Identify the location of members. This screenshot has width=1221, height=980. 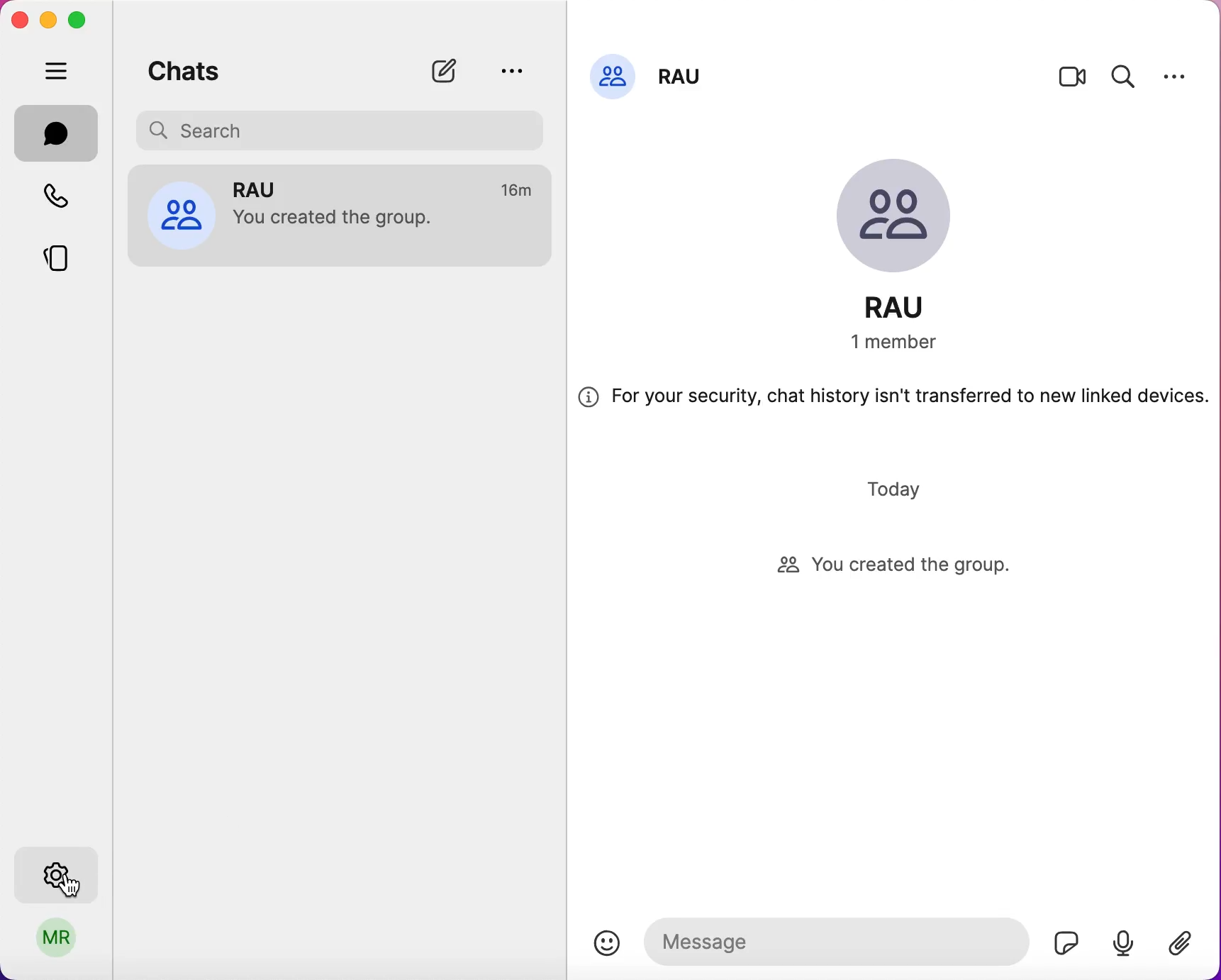
(910, 343).